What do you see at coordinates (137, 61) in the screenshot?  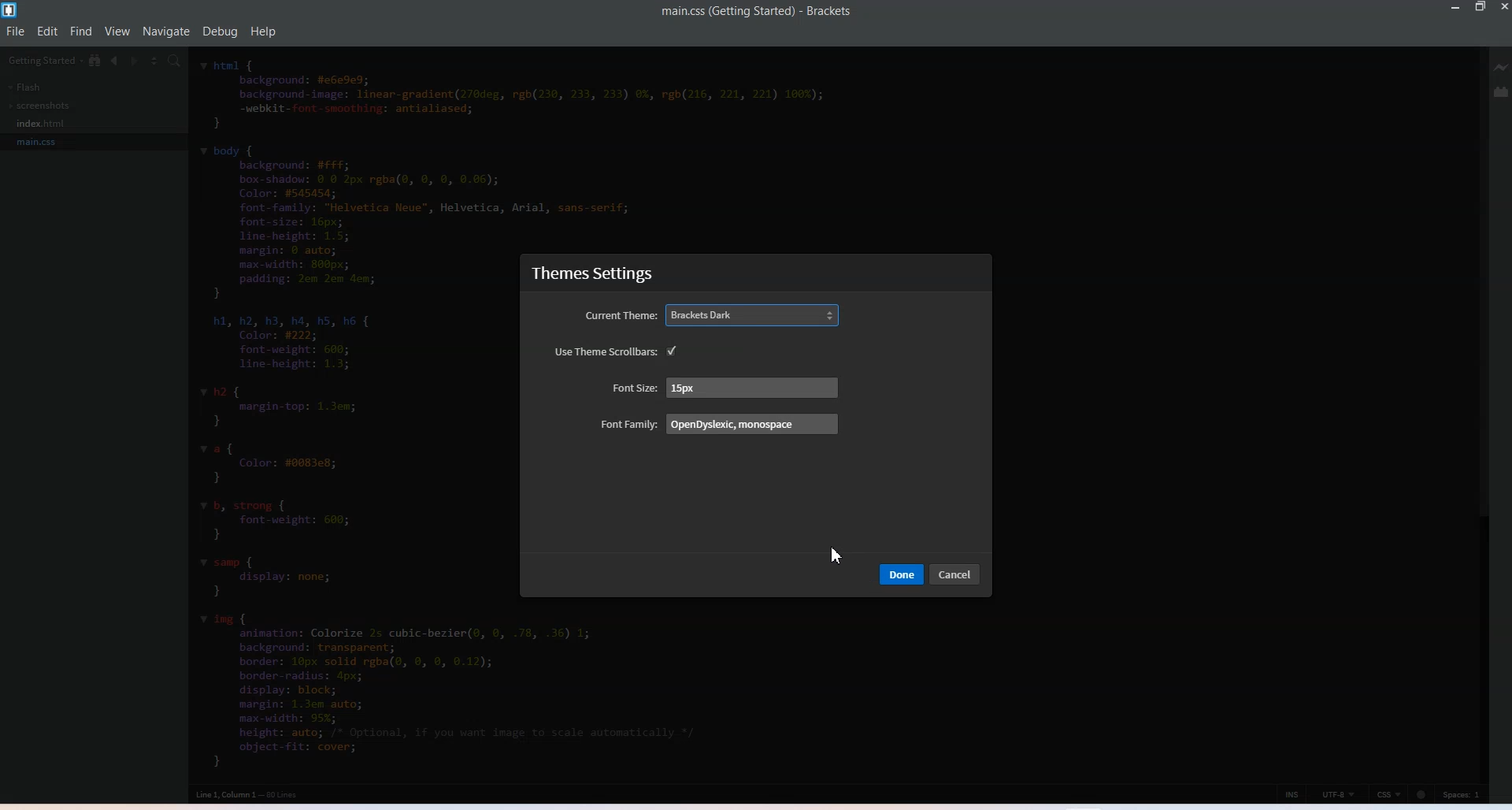 I see `Navigate Forward` at bounding box center [137, 61].